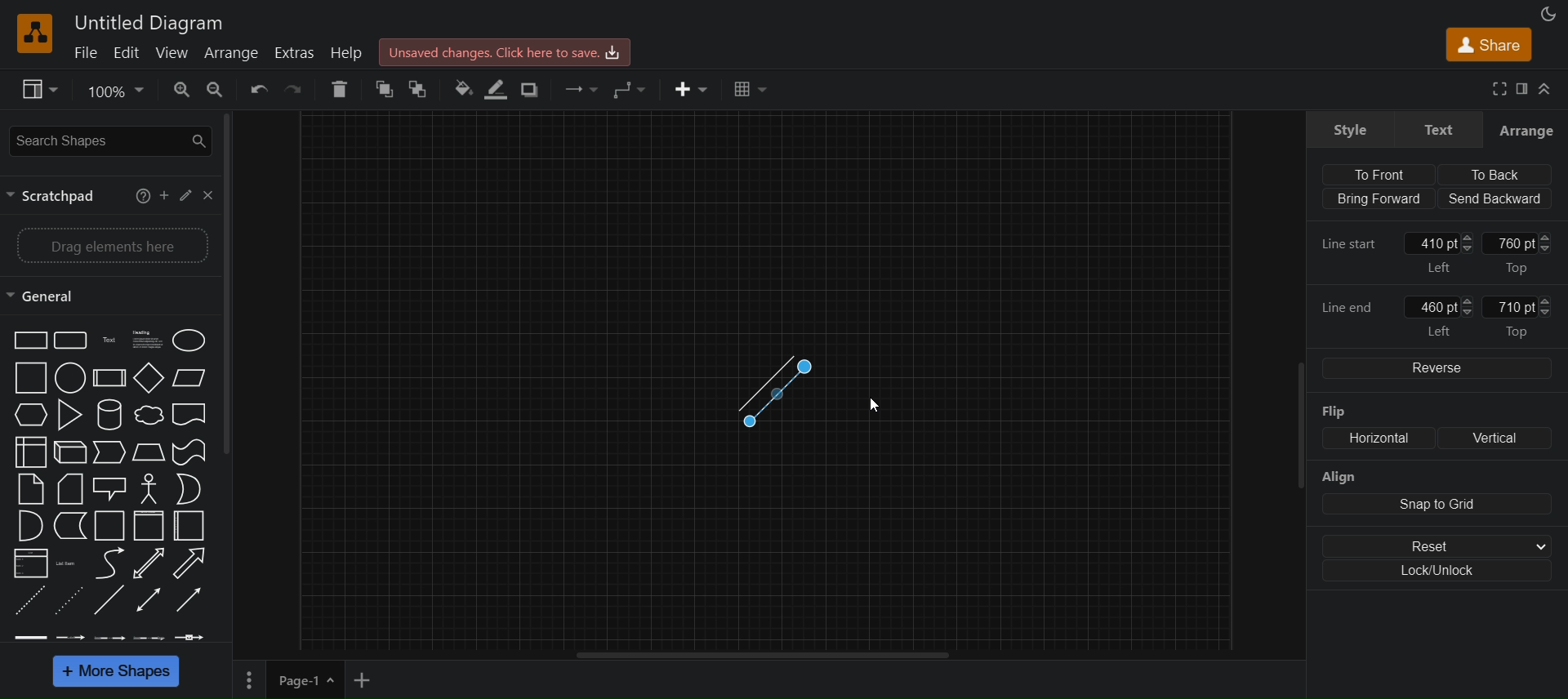 Image resolution: width=1568 pixels, height=699 pixels. I want to click on Directional connector, so click(191, 602).